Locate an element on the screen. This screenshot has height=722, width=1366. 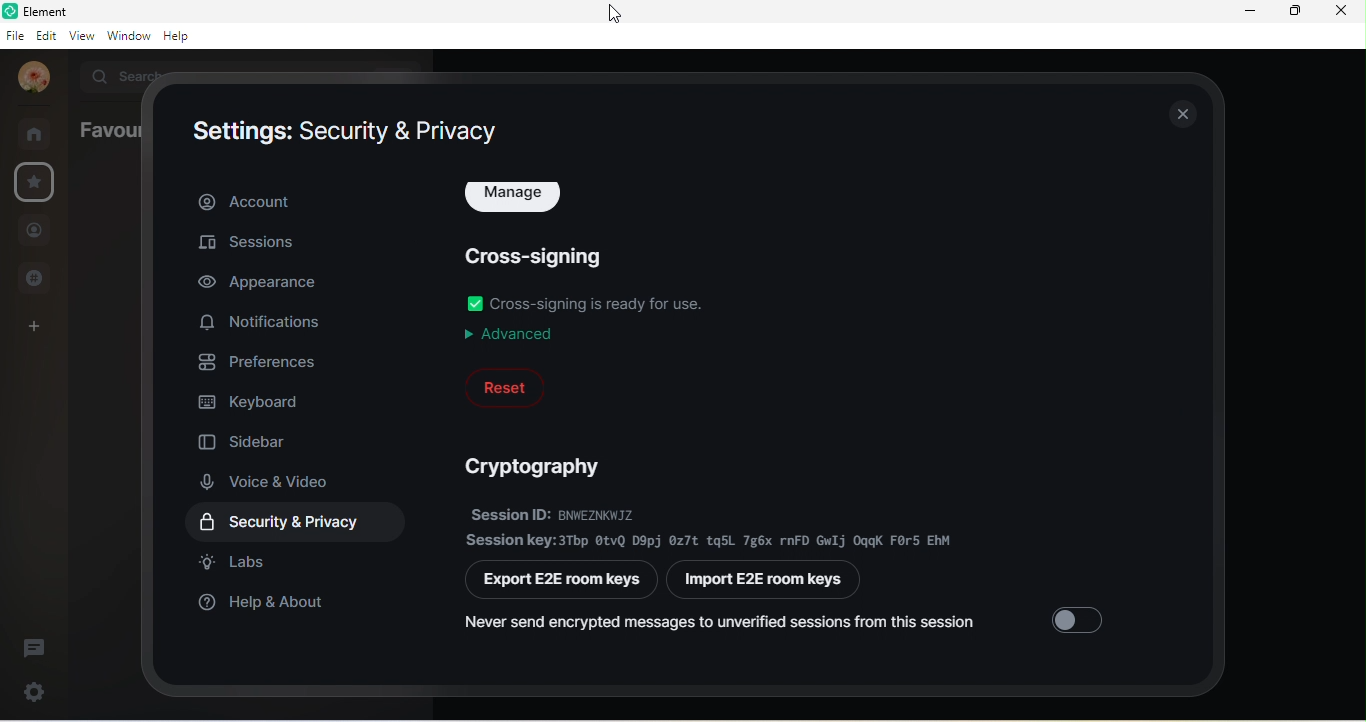
sidebar is located at coordinates (248, 438).